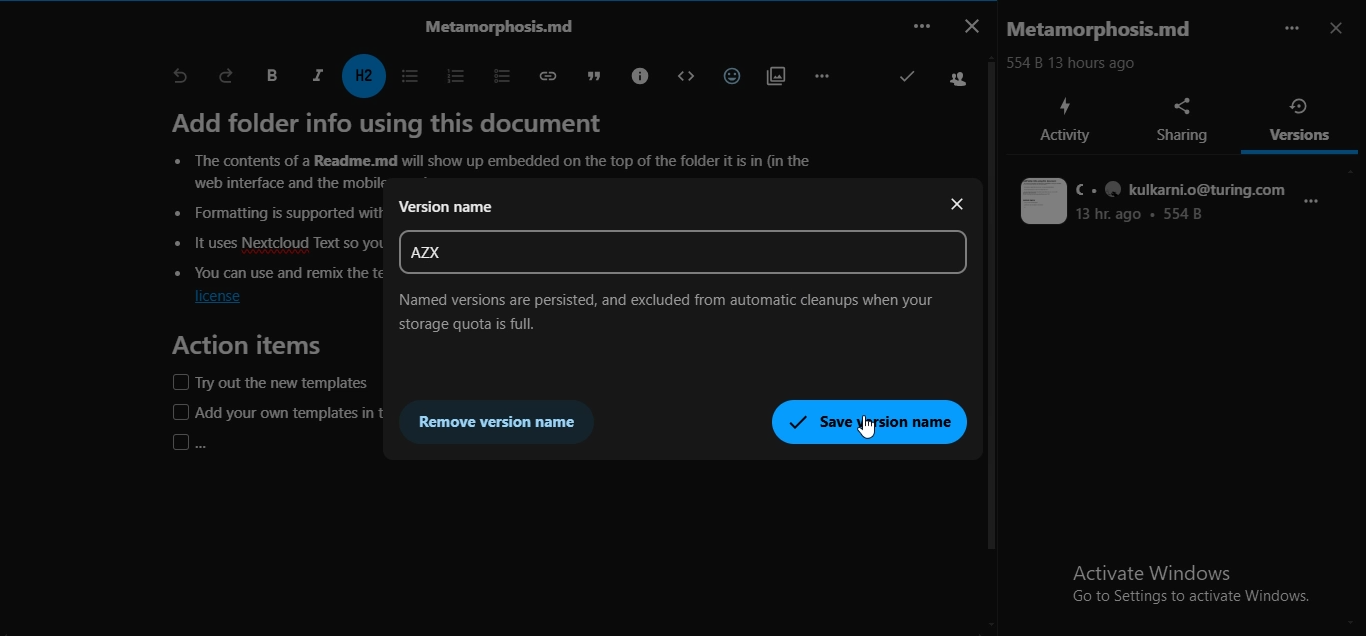 The width and height of the screenshot is (1366, 636). What do you see at coordinates (1154, 202) in the screenshot?
I see `text` at bounding box center [1154, 202].